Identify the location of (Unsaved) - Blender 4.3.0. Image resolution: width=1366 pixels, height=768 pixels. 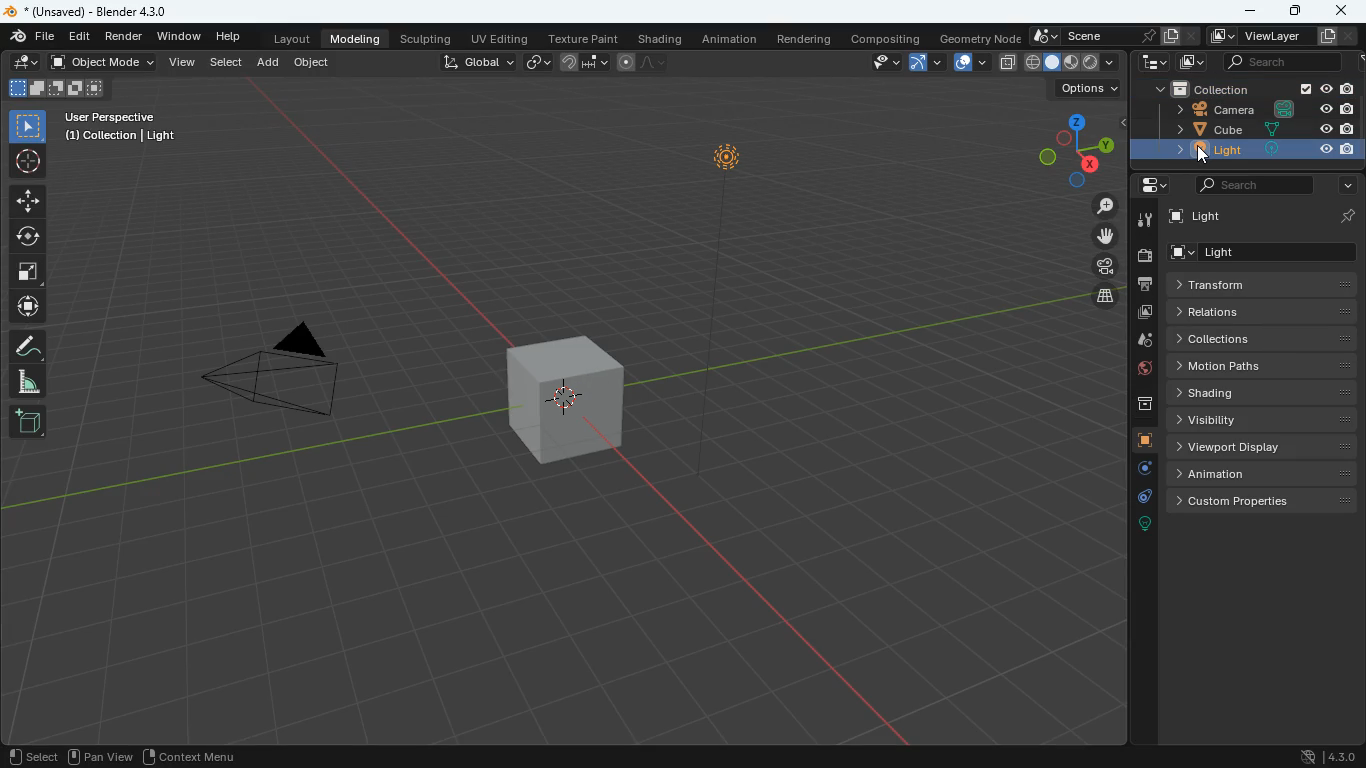
(86, 10).